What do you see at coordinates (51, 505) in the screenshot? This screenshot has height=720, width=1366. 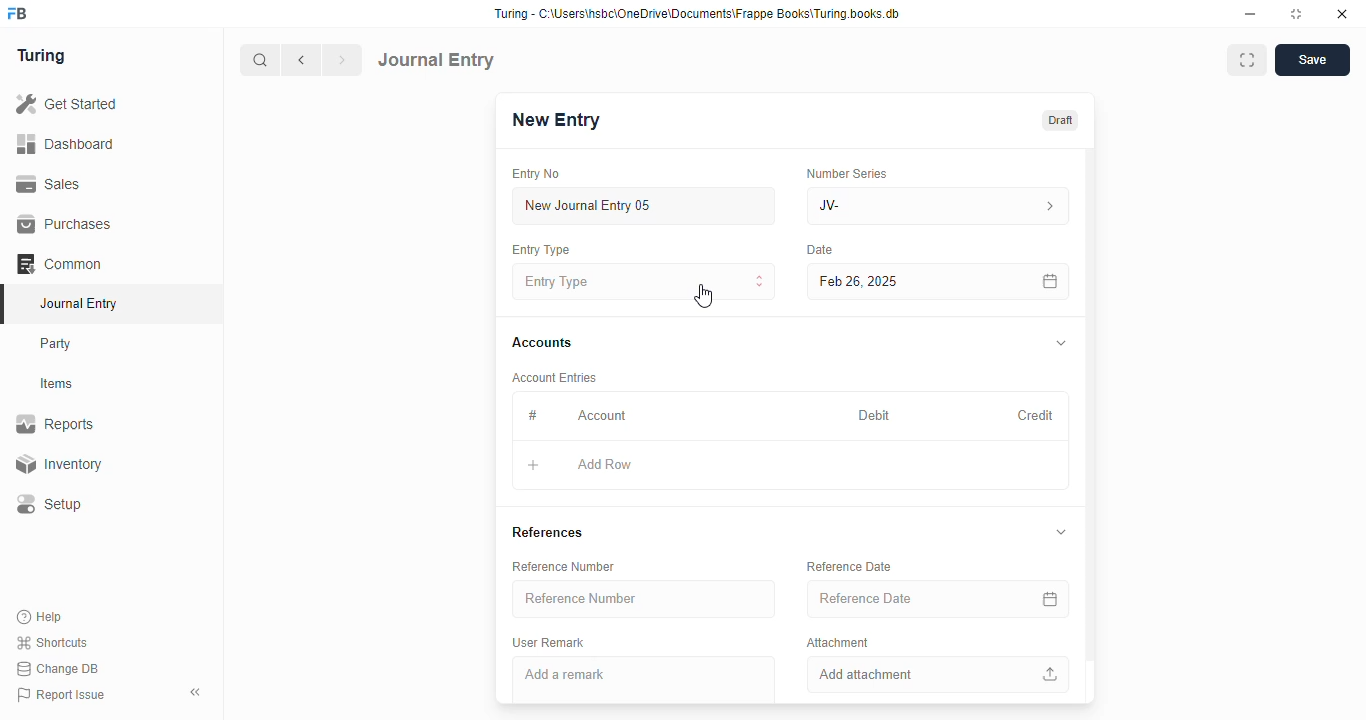 I see `setup` at bounding box center [51, 505].